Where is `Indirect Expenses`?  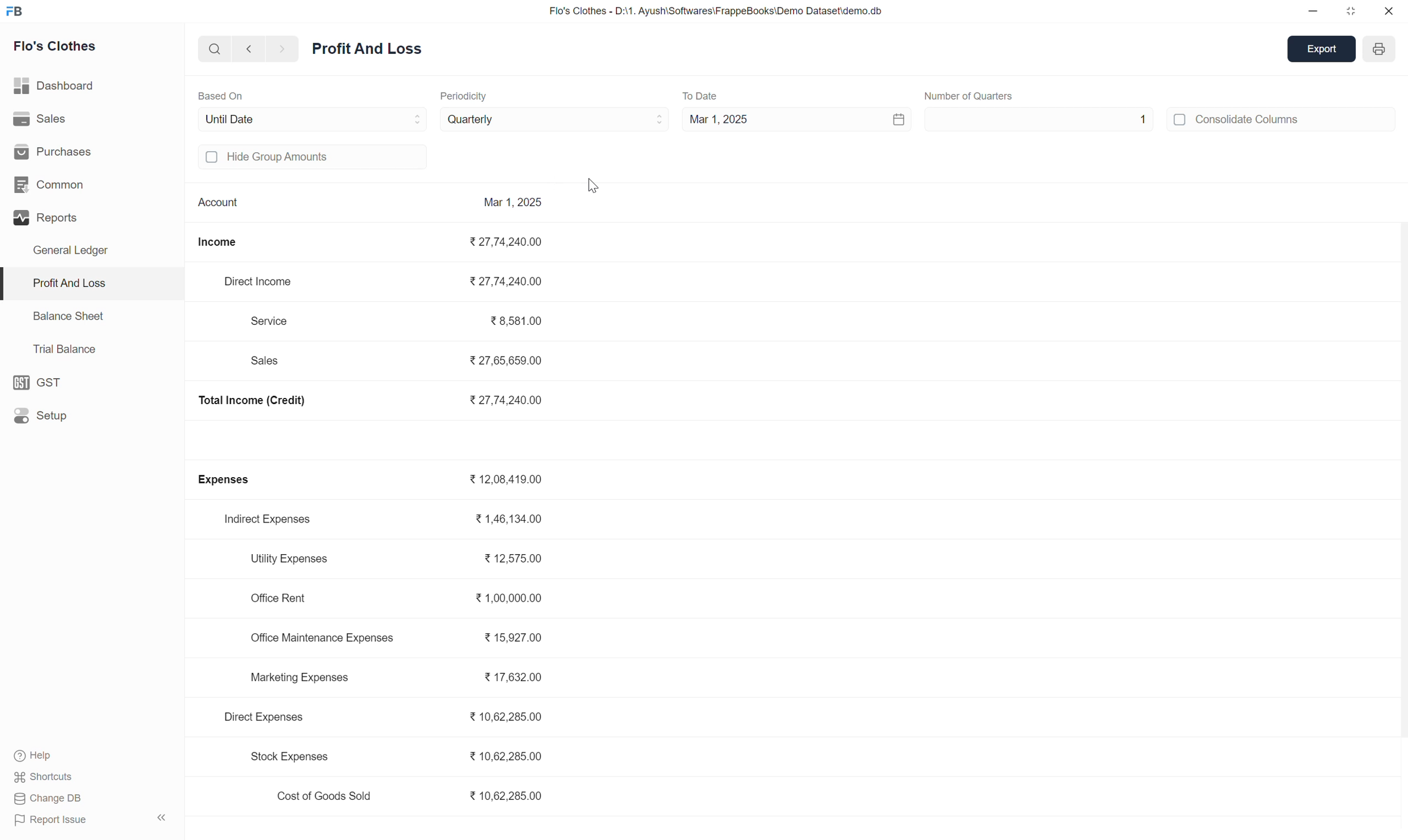
Indirect Expenses is located at coordinates (273, 518).